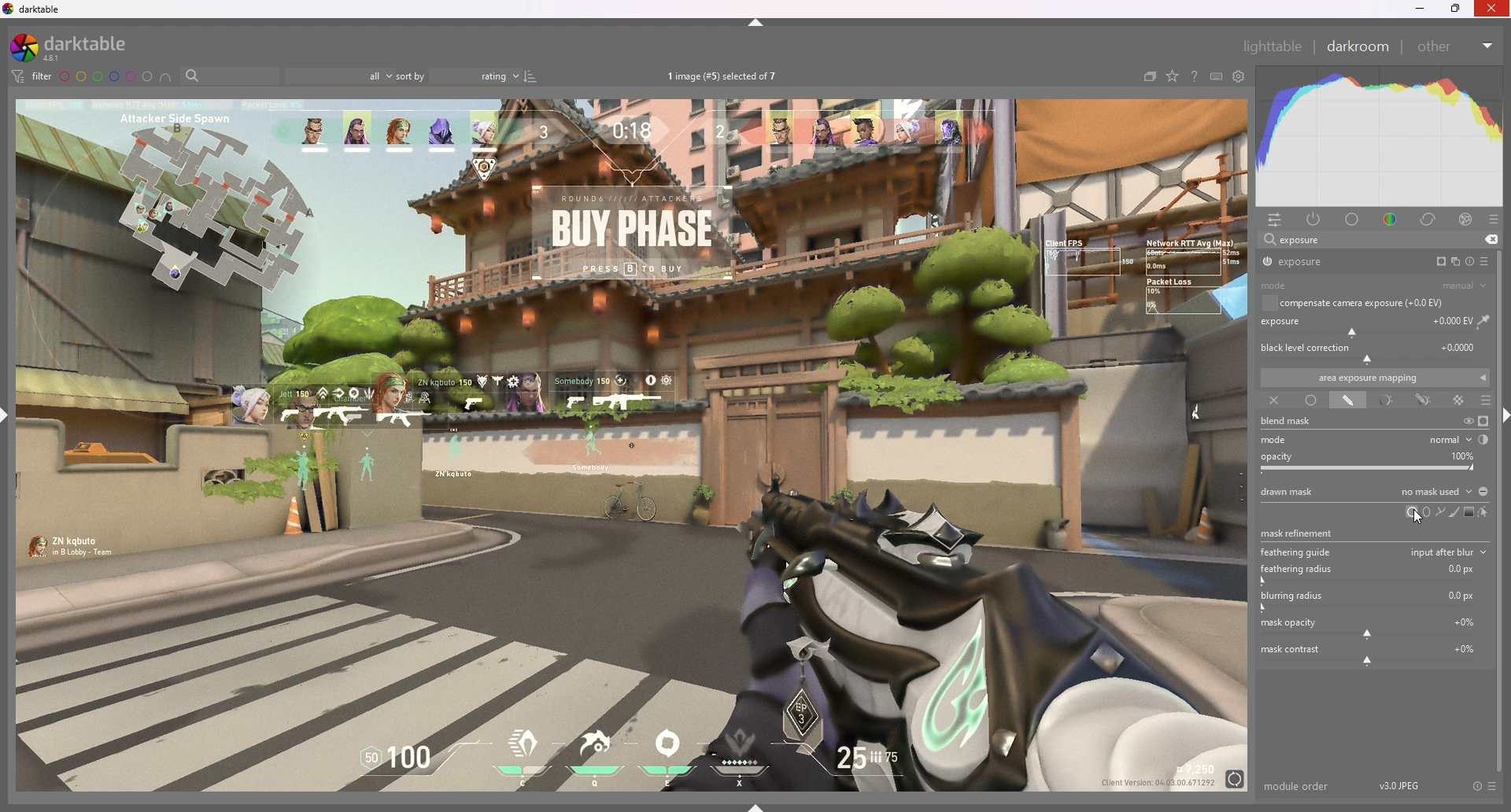  I want to click on scroll bar, so click(1505, 509).